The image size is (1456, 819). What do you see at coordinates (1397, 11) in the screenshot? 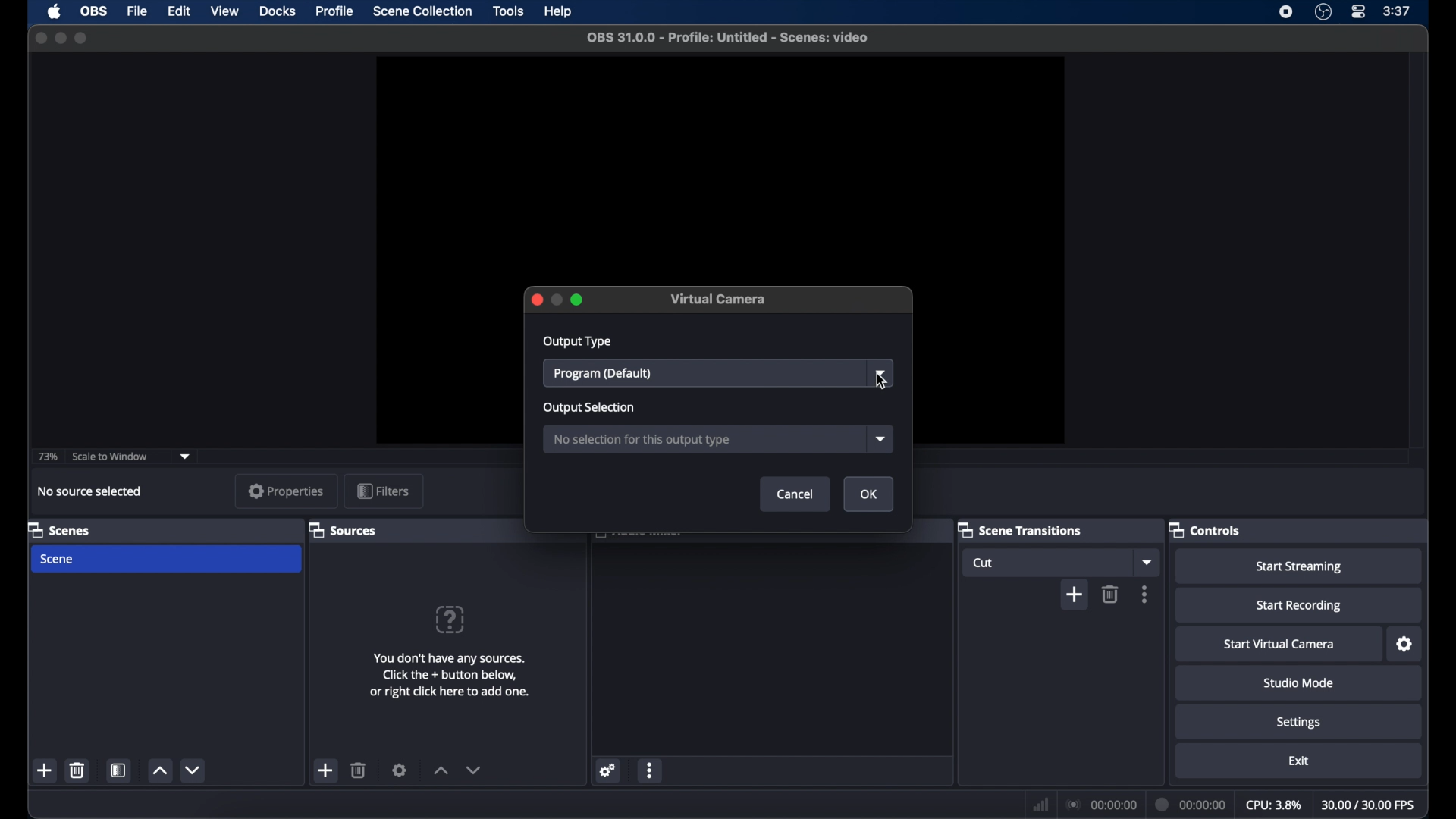
I see `time` at bounding box center [1397, 11].